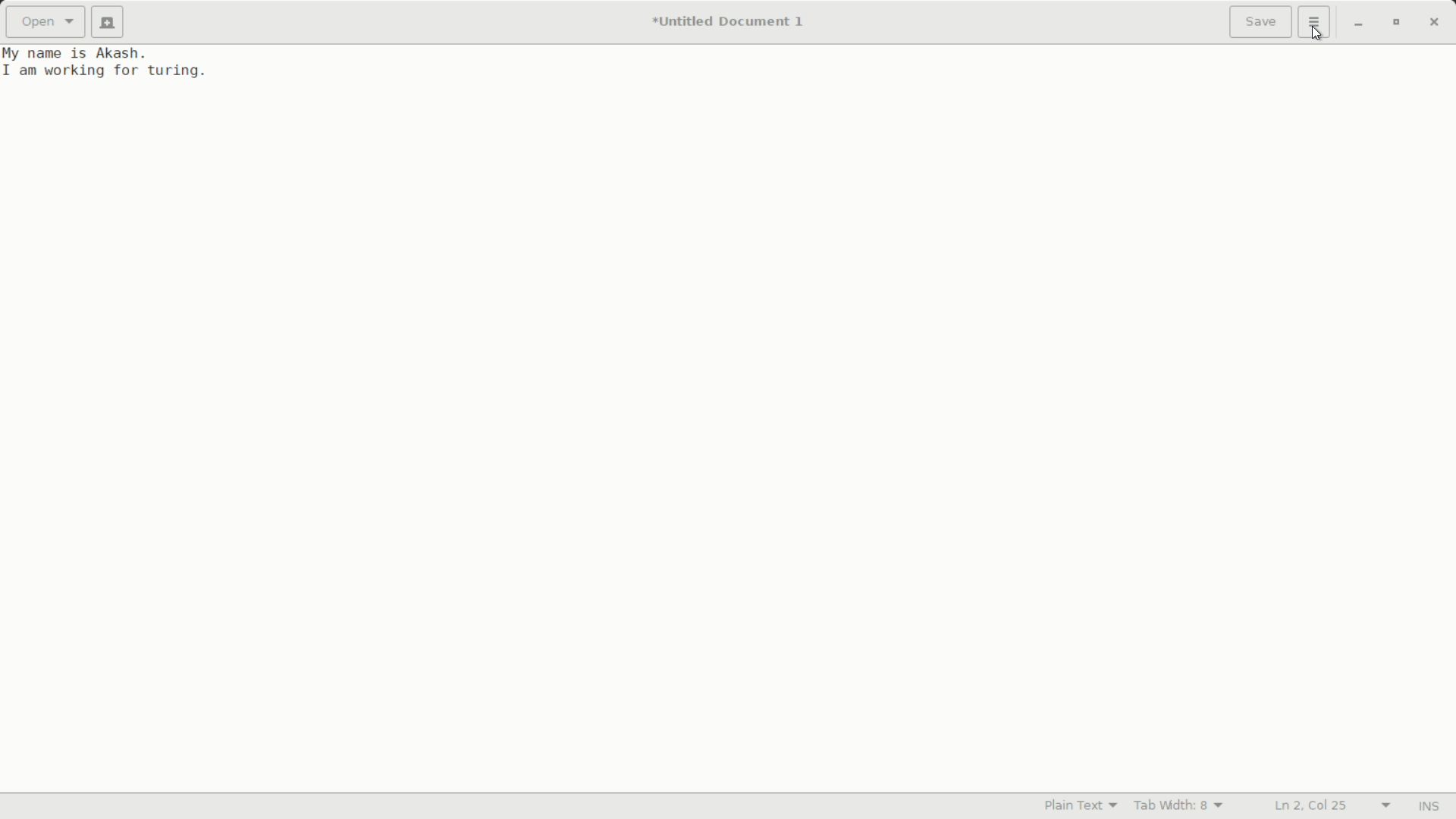 The width and height of the screenshot is (1456, 819). I want to click on I am working for turing., so click(108, 71).